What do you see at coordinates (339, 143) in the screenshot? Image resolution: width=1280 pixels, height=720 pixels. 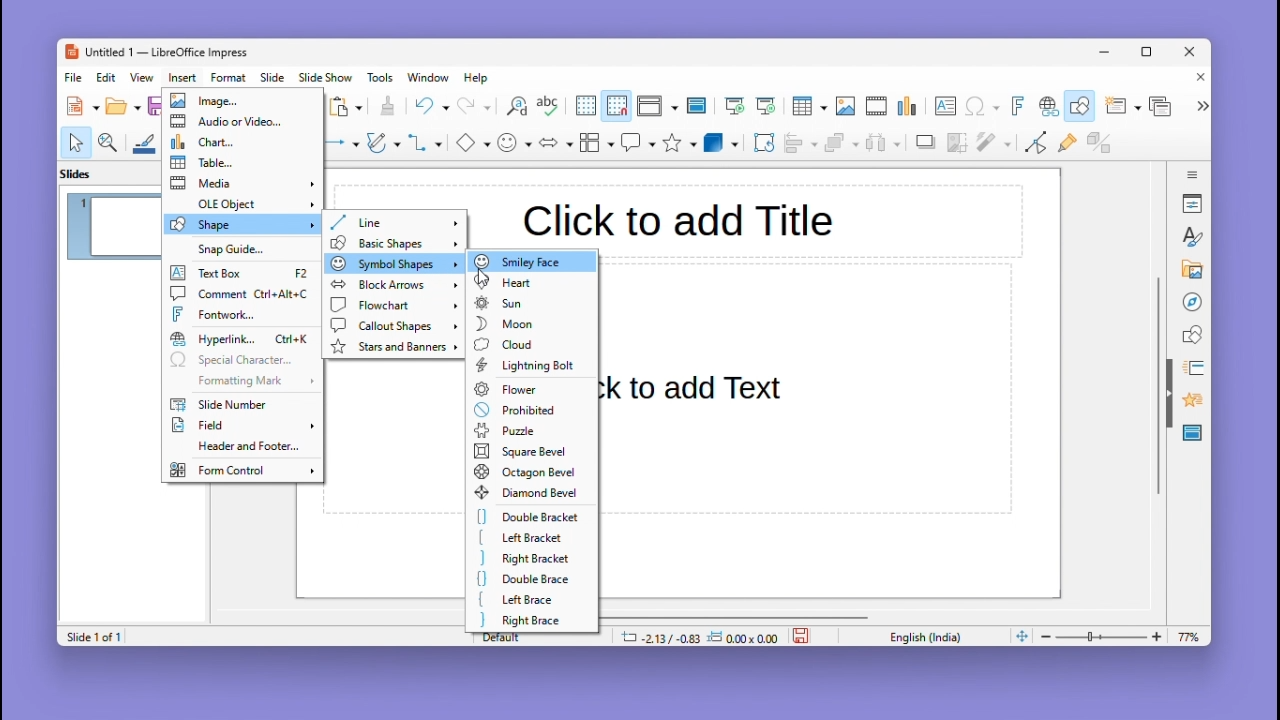 I see `Arrow` at bounding box center [339, 143].